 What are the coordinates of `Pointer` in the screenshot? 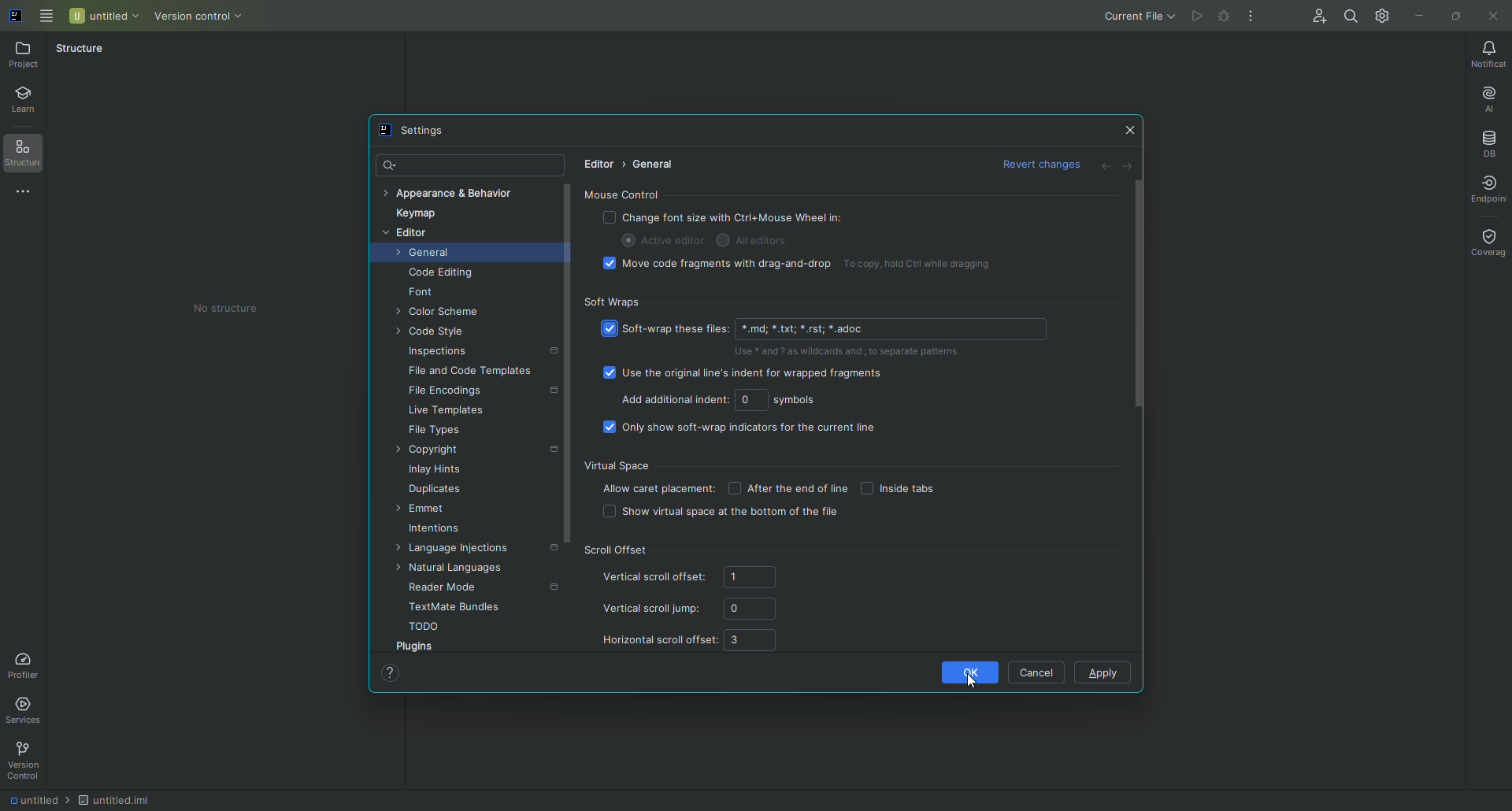 It's located at (974, 684).